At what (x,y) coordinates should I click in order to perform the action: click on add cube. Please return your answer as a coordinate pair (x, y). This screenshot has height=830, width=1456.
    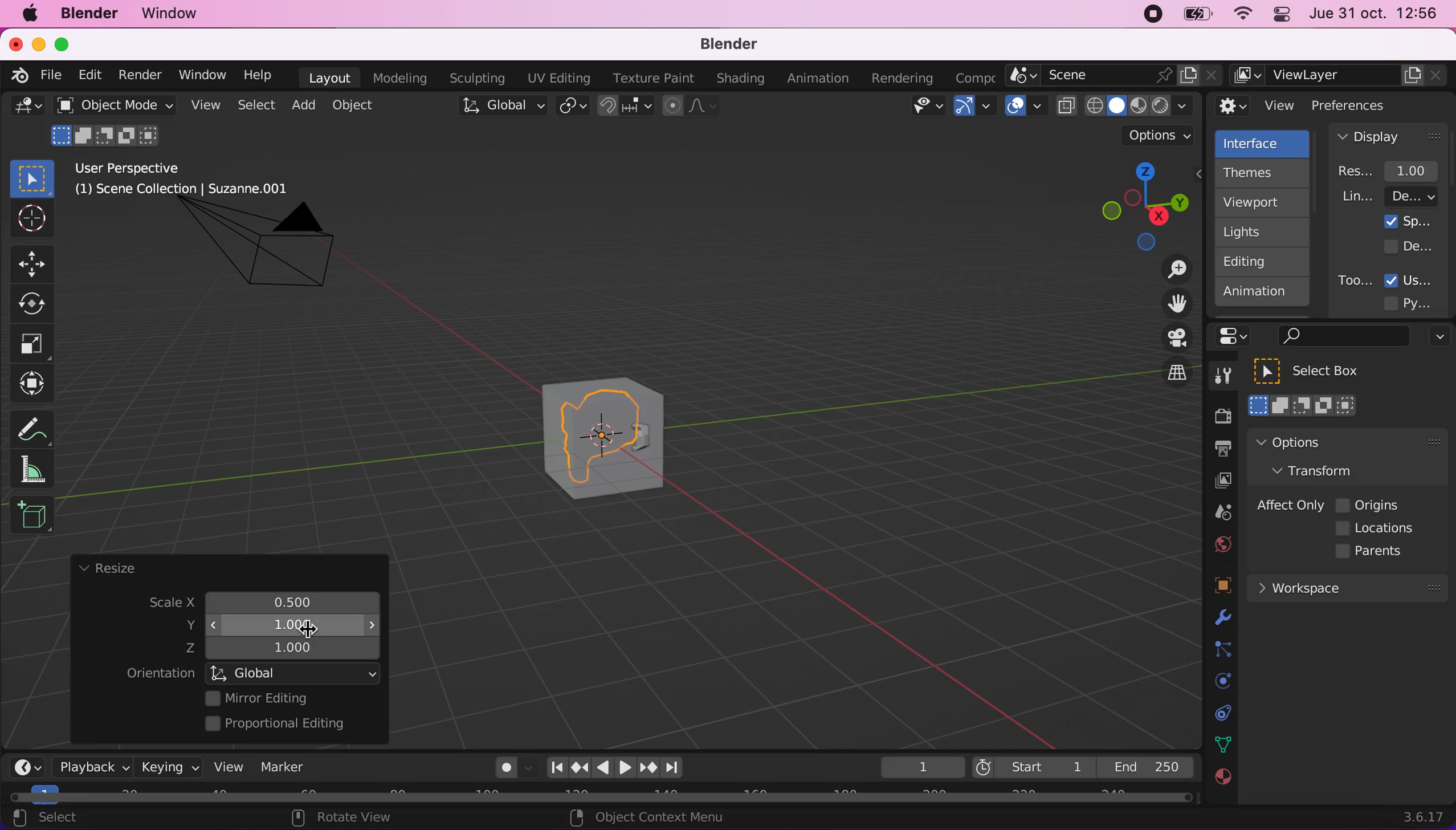
    Looking at the image, I should click on (32, 516).